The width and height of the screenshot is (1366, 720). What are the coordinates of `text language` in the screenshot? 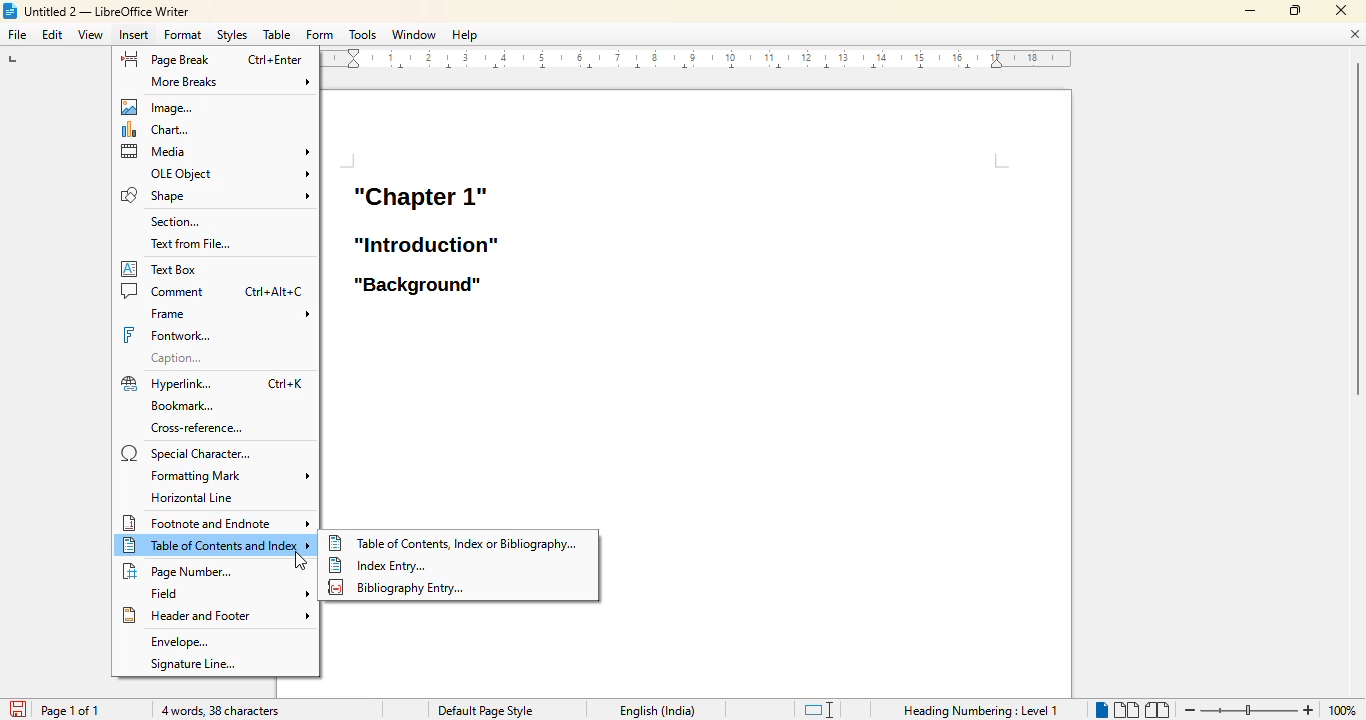 It's located at (658, 711).